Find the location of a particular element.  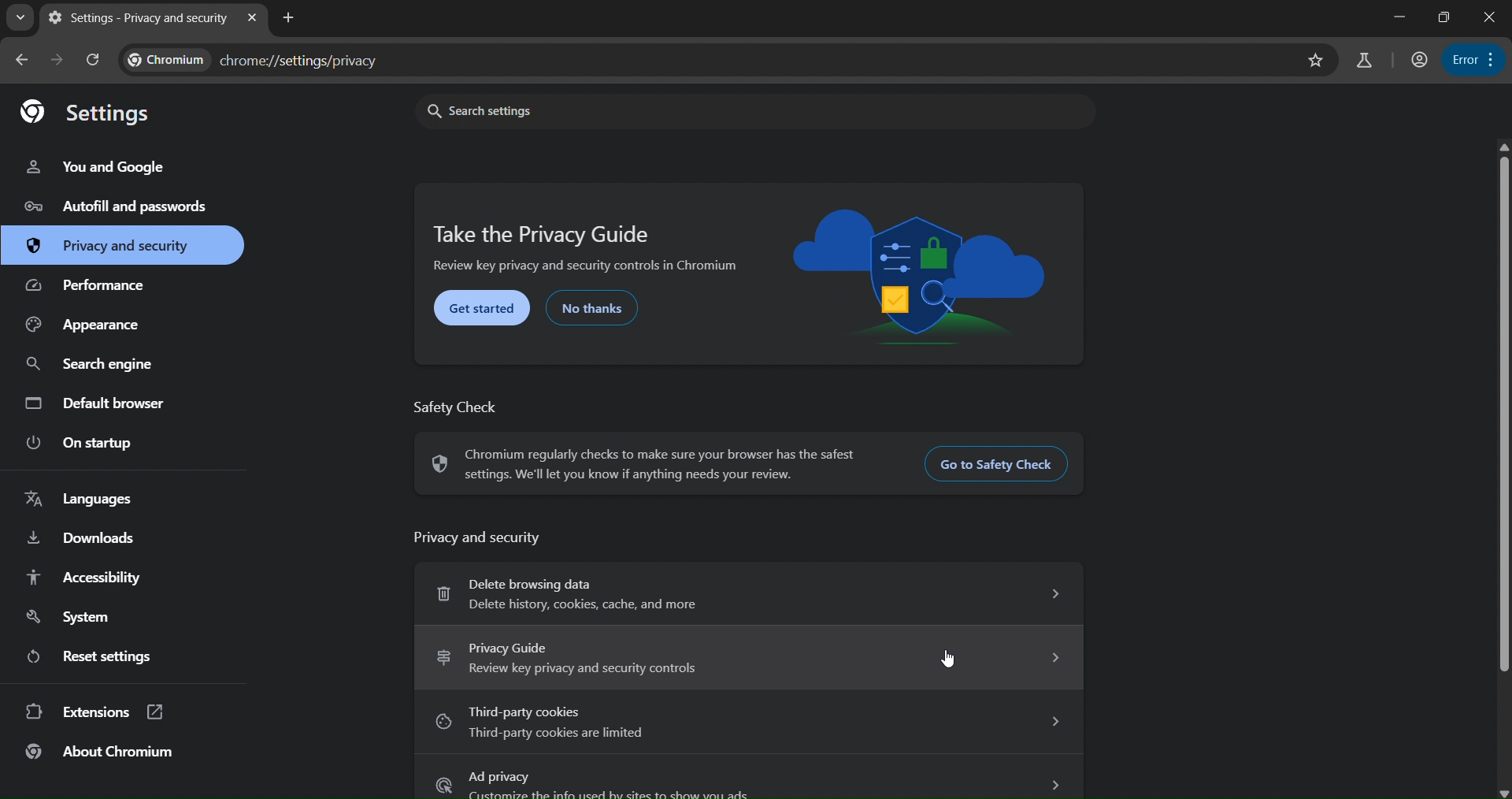

image is located at coordinates (920, 277).